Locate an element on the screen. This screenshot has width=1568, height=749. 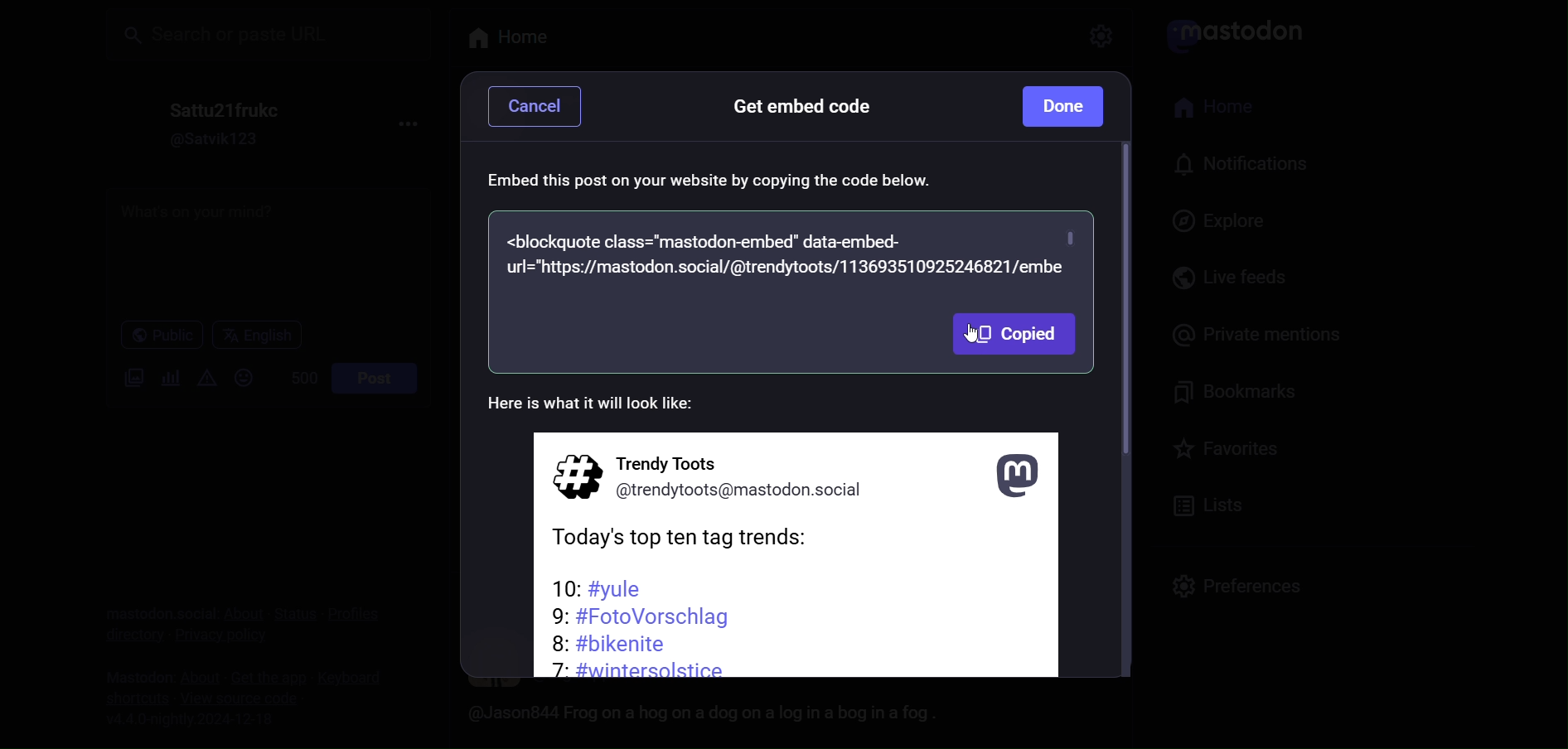
Embed code of a post copied is located at coordinates (1014, 336).